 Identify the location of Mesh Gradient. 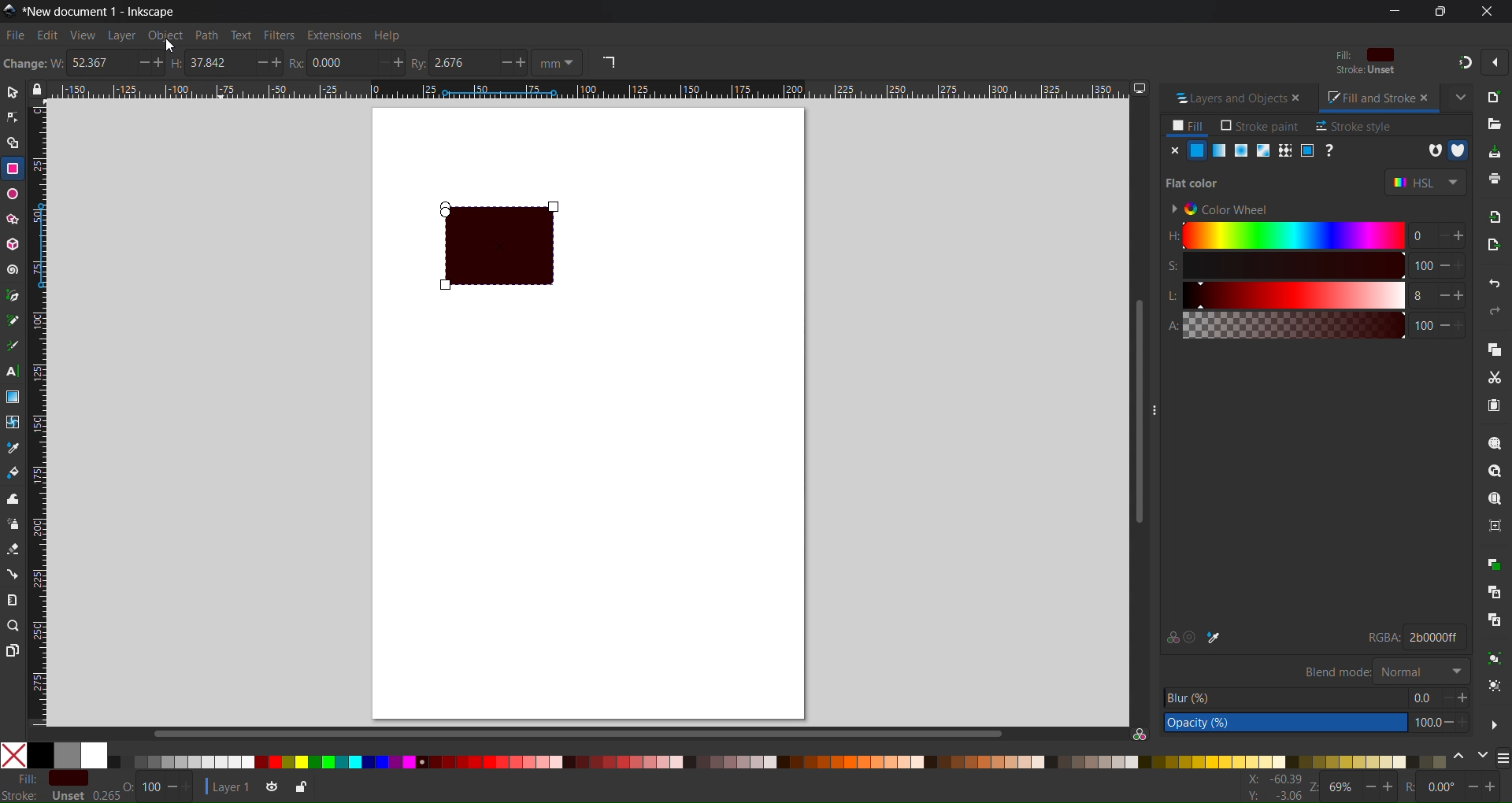
(1261, 150).